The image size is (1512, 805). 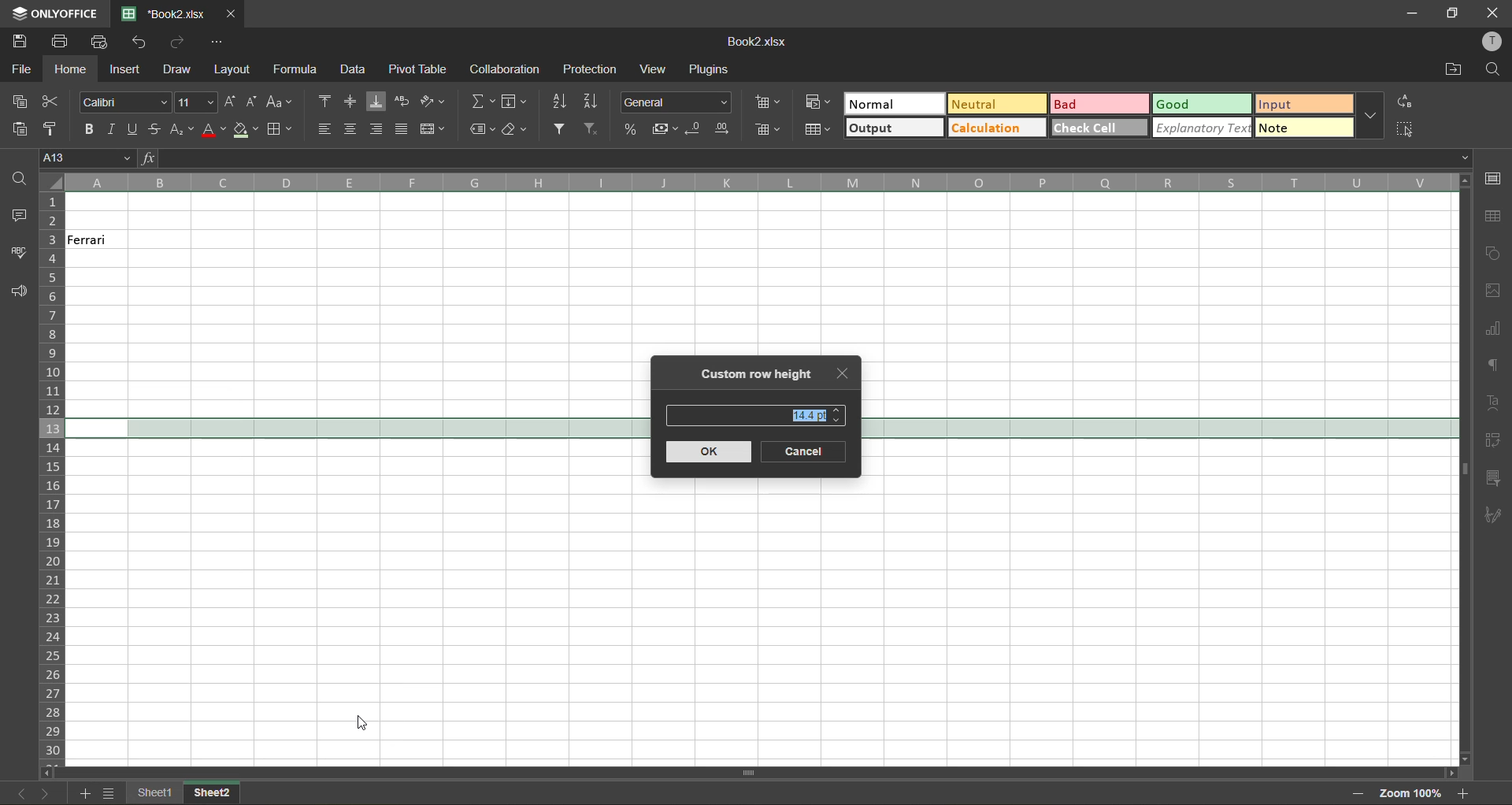 I want to click on draw, so click(x=179, y=71).